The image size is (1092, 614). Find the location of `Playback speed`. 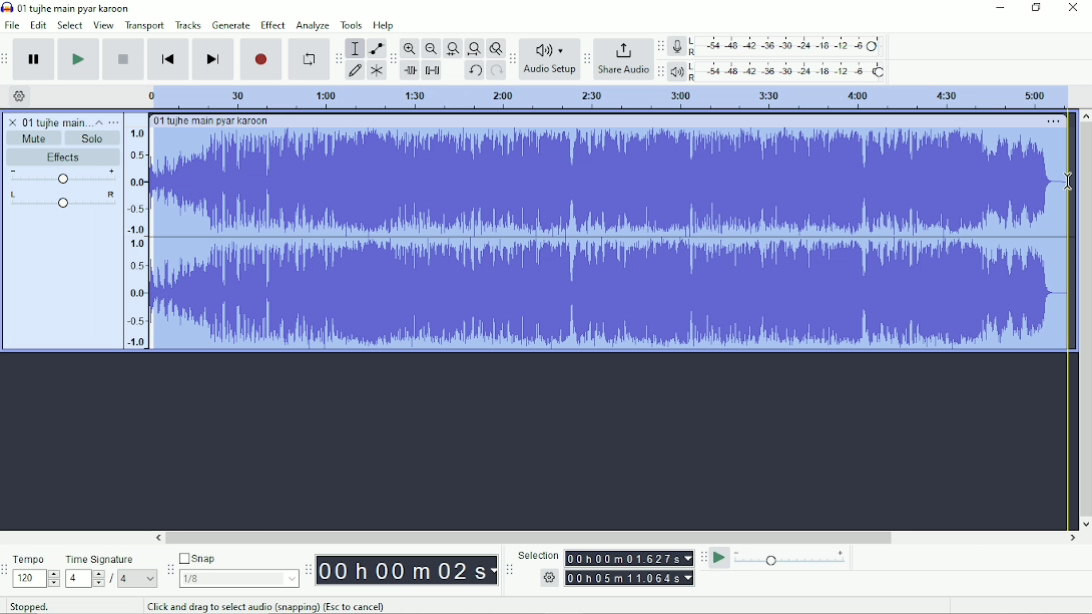

Playback speed is located at coordinates (792, 558).